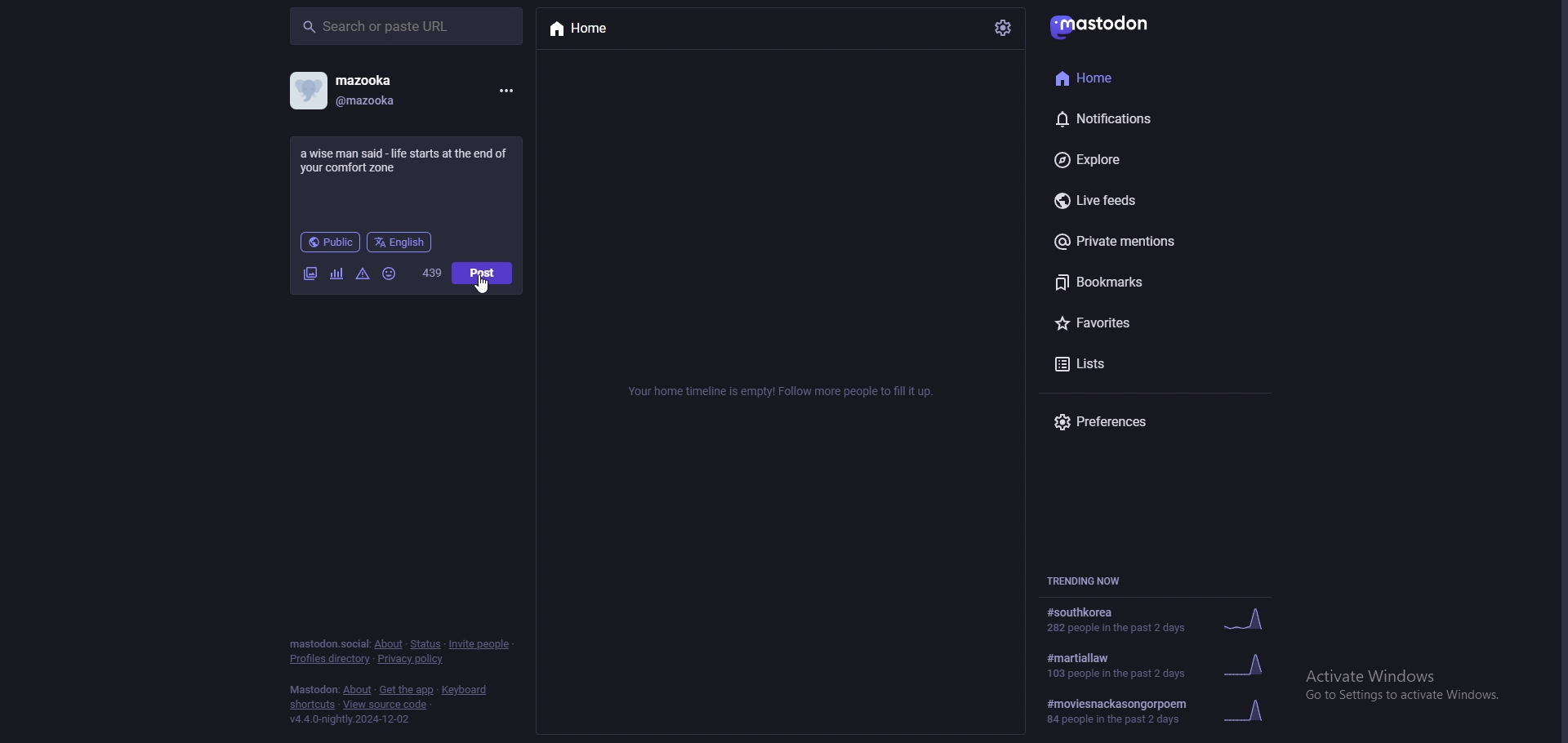 The height and width of the screenshot is (743, 1568). Describe the element at coordinates (425, 643) in the screenshot. I see `status` at that location.